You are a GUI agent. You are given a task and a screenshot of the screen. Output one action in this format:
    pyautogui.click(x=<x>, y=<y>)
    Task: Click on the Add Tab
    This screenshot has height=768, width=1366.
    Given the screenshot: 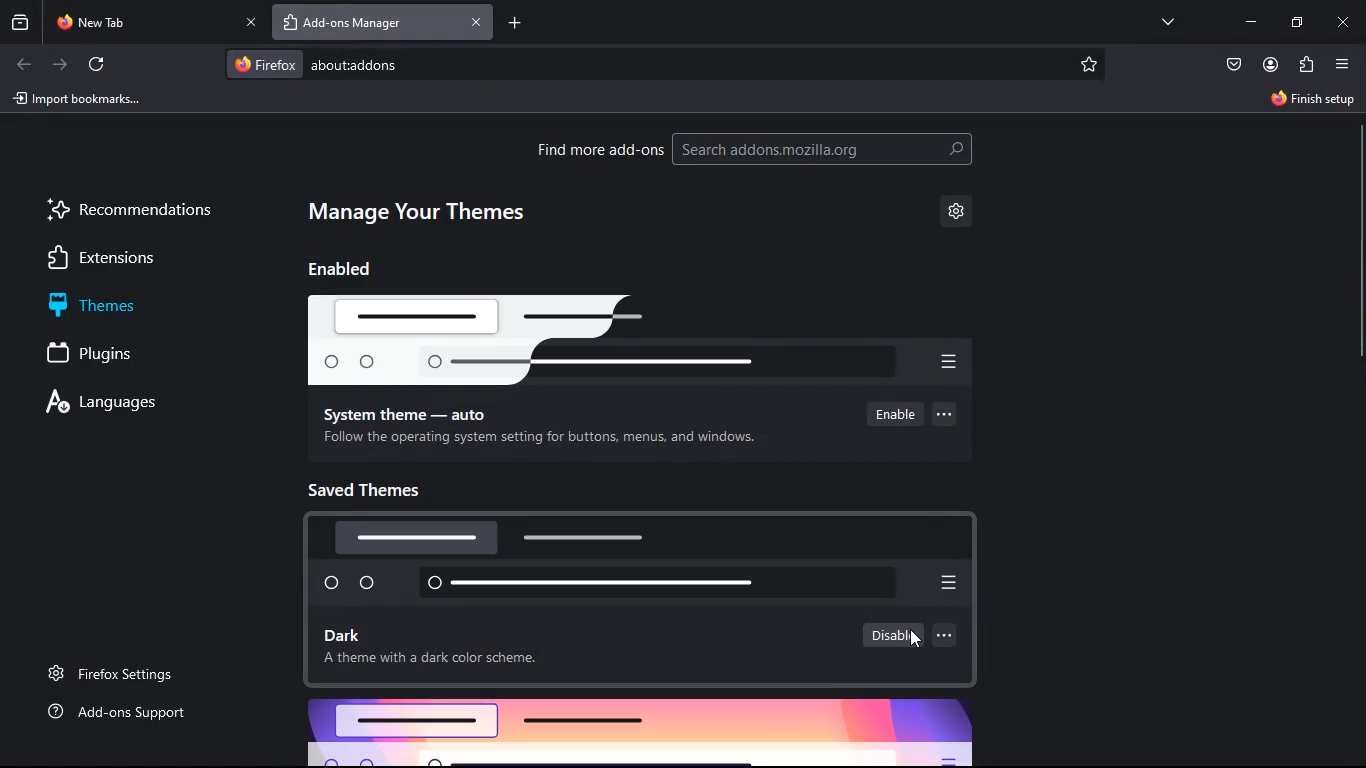 What is the action you would take?
    pyautogui.click(x=516, y=23)
    